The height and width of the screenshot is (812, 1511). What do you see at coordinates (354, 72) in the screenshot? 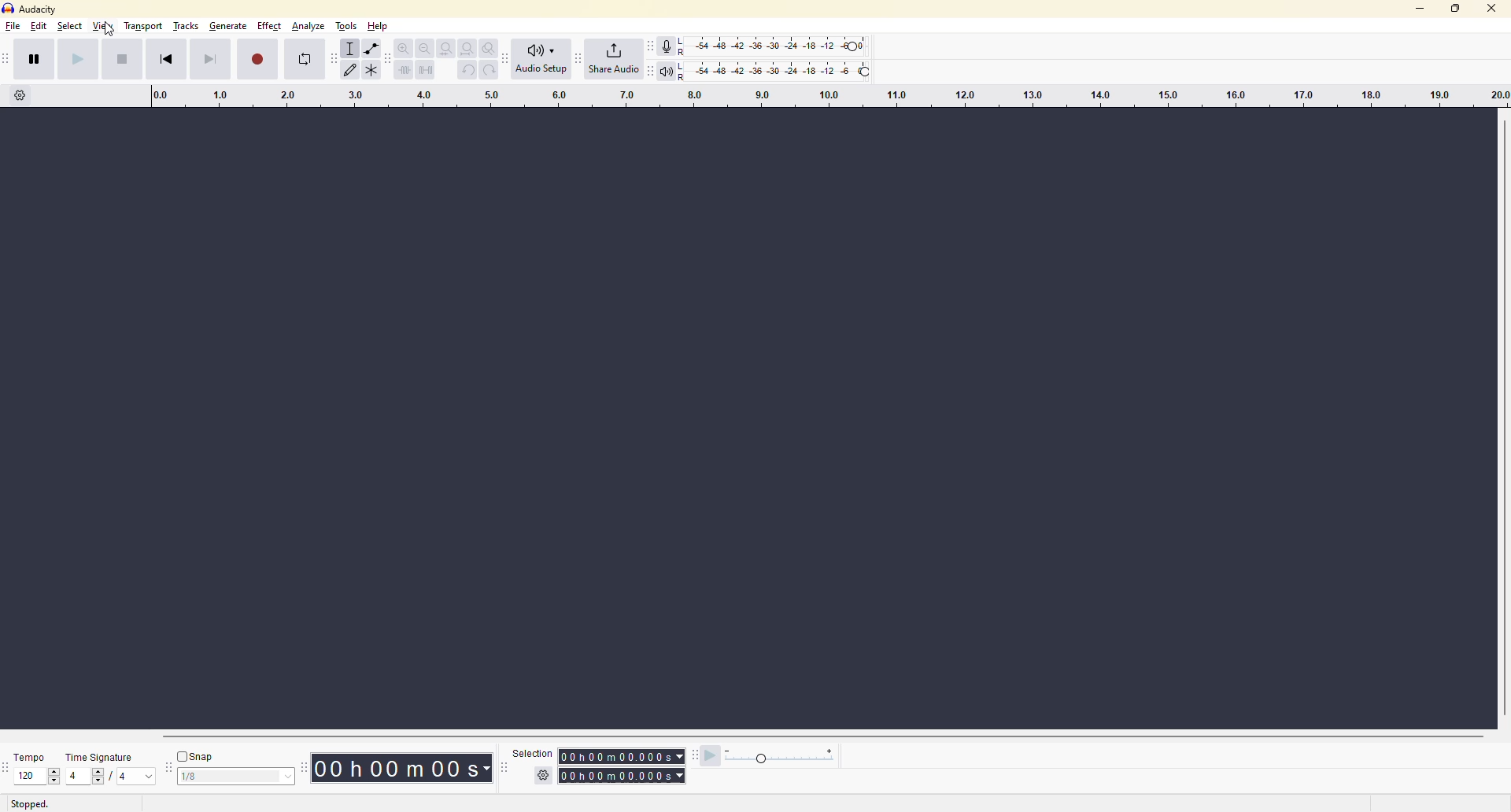
I see `draw tool` at bounding box center [354, 72].